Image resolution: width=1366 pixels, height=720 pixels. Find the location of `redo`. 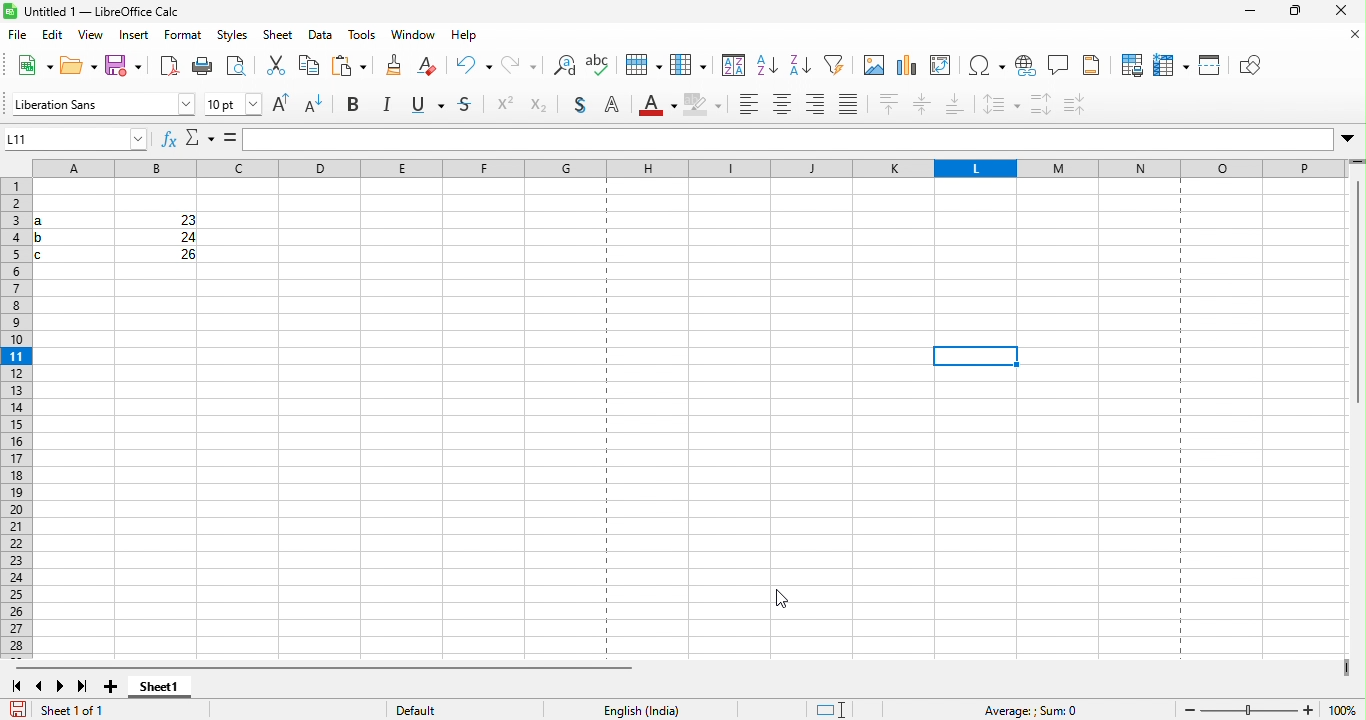

redo is located at coordinates (477, 66).